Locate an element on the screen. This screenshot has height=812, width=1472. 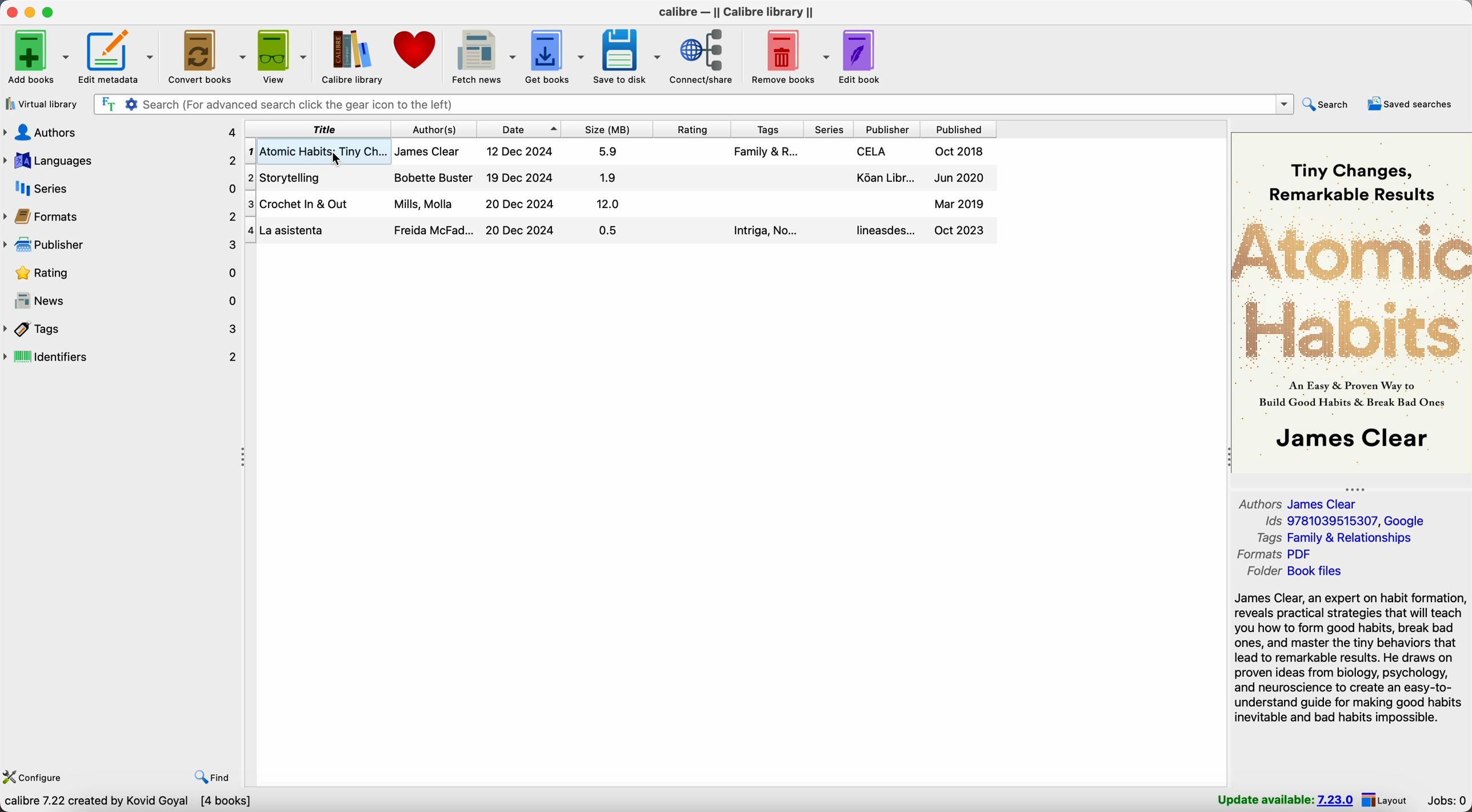
edit metadata is located at coordinates (121, 58).